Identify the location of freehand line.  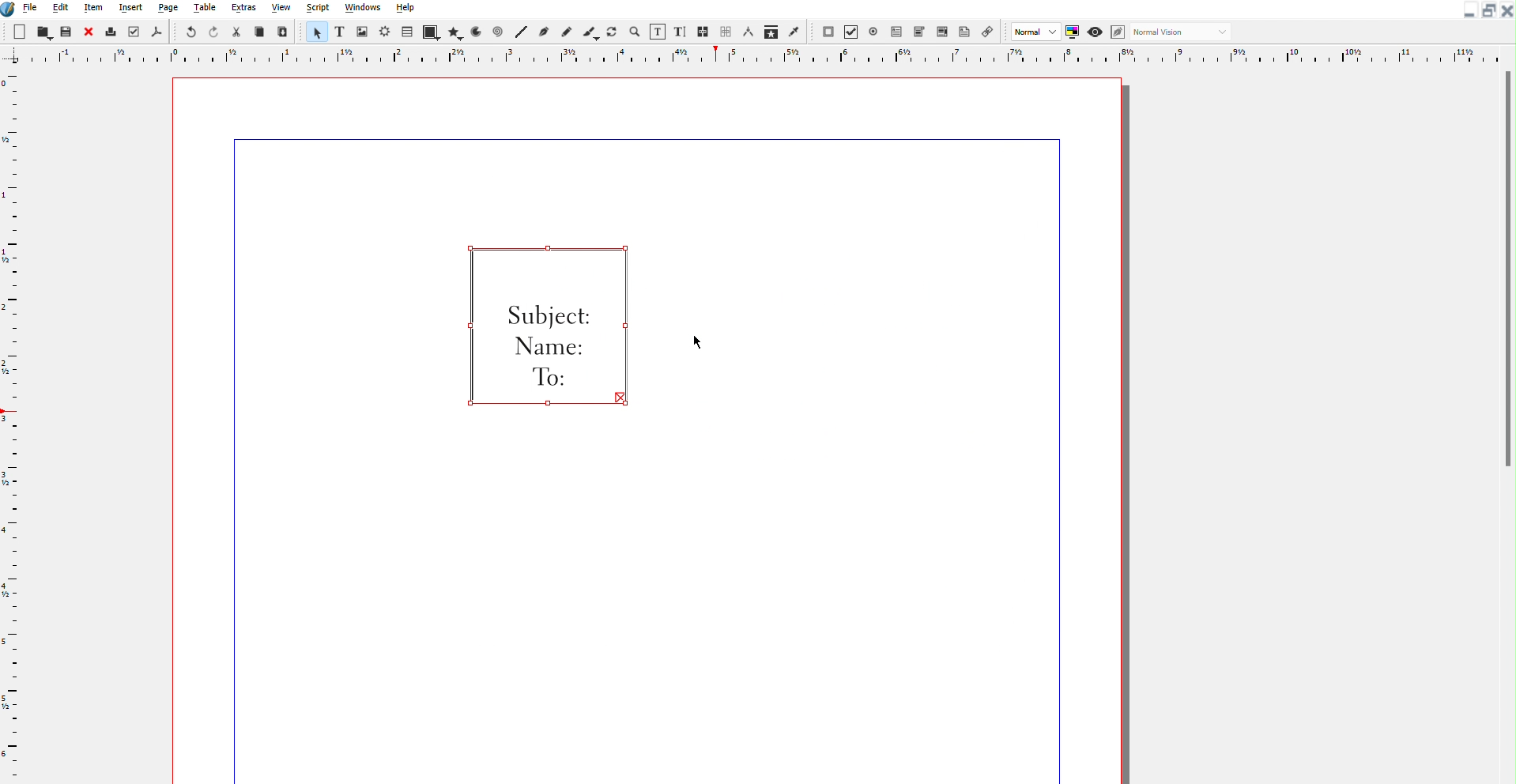
(564, 32).